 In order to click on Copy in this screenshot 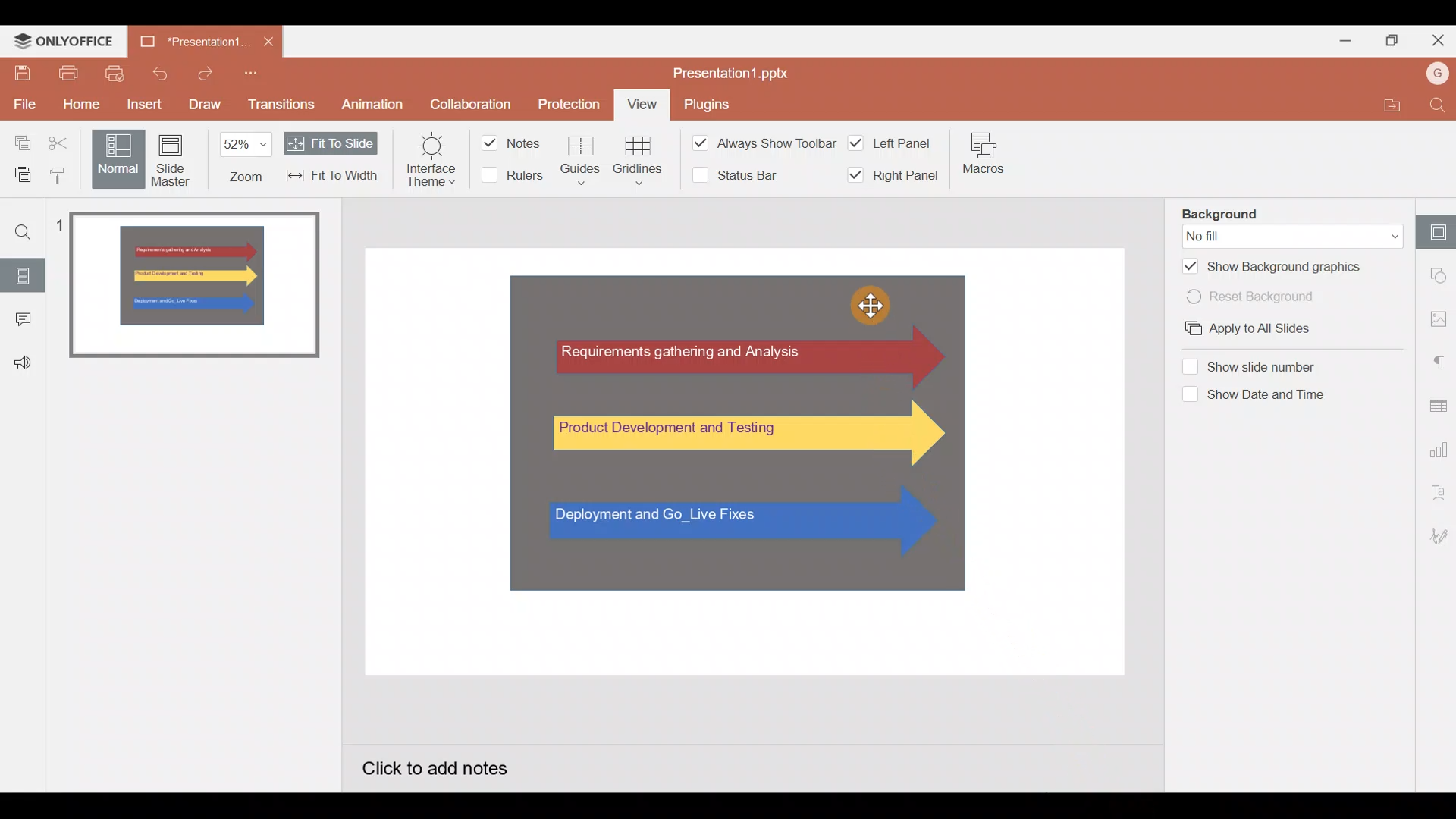, I will do `click(17, 140)`.